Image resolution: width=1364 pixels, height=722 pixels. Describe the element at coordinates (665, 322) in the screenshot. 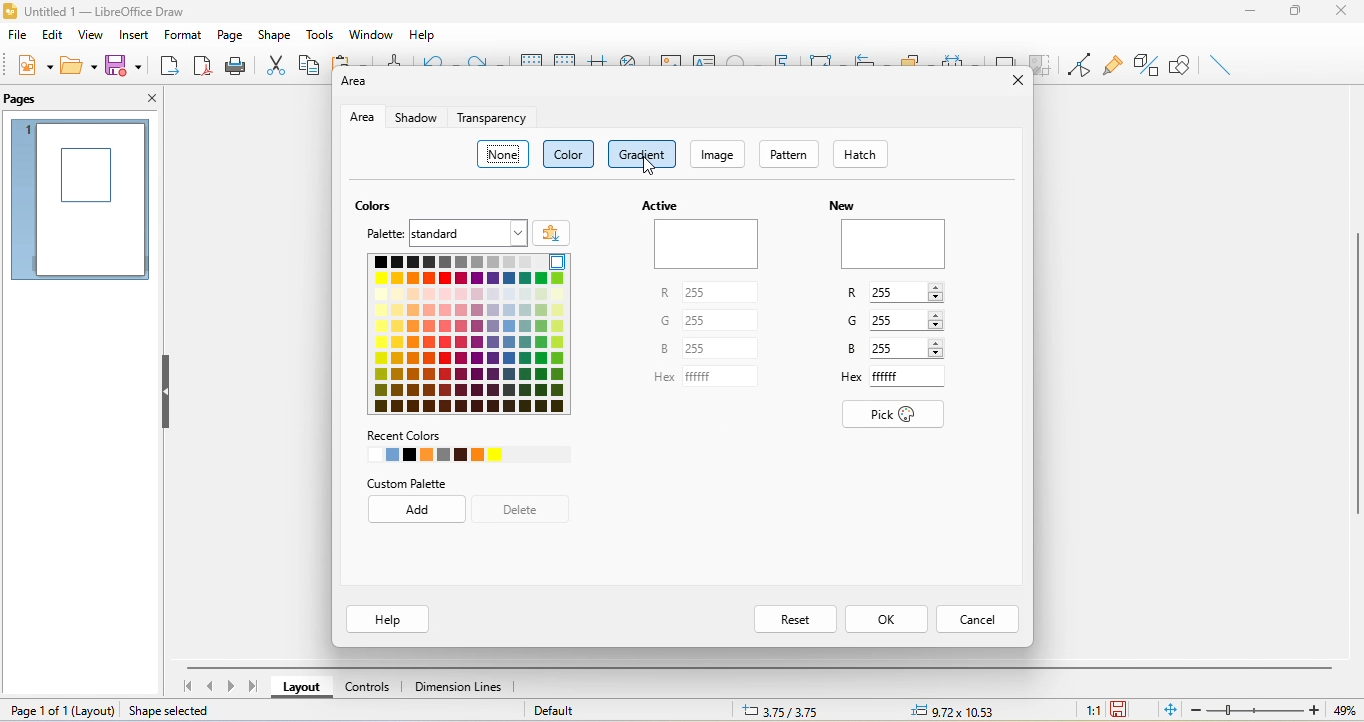

I see `g` at that location.